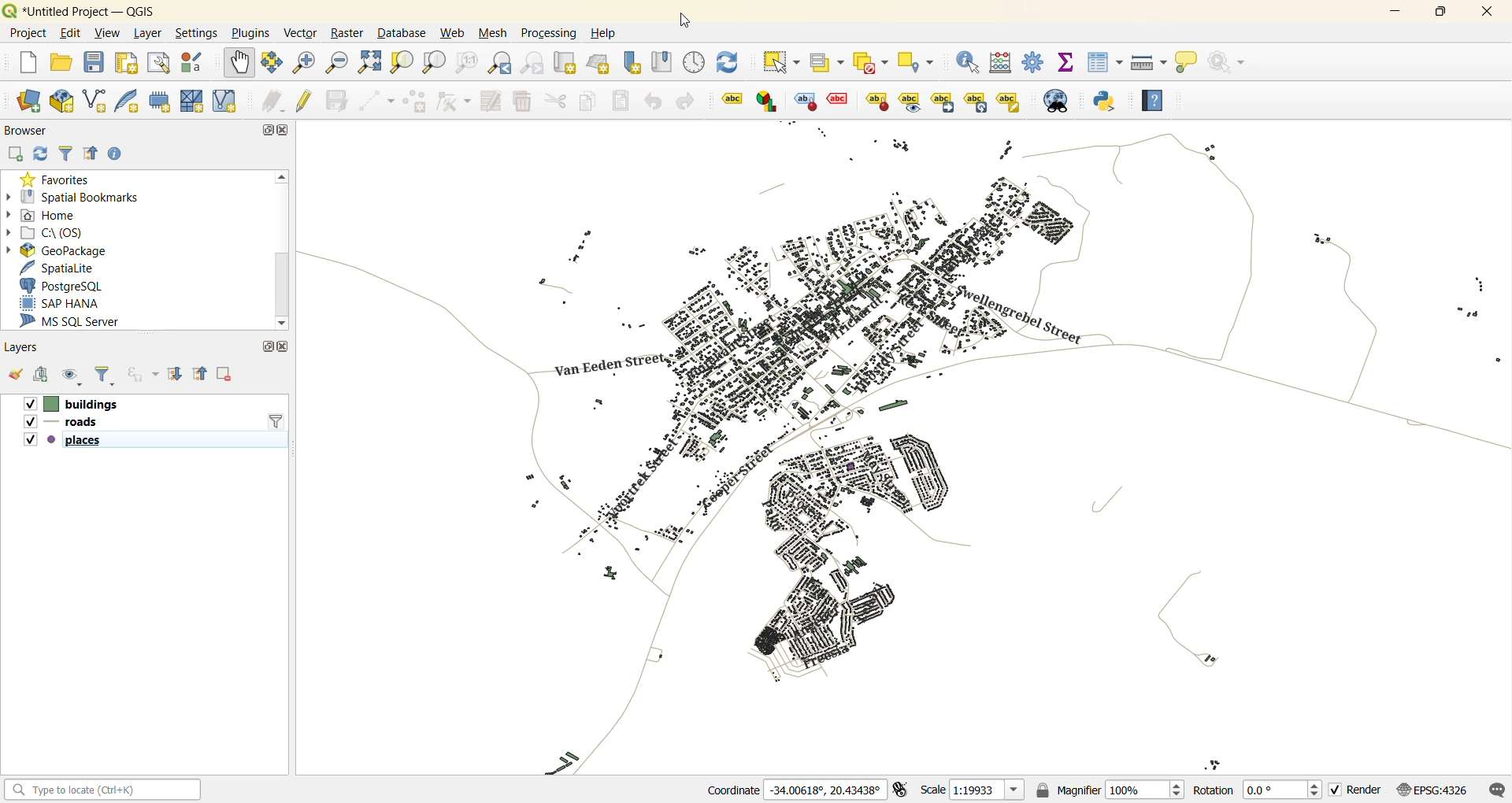 The width and height of the screenshot is (1512, 803). Describe the element at coordinates (131, 101) in the screenshot. I see `new spatialite` at that location.